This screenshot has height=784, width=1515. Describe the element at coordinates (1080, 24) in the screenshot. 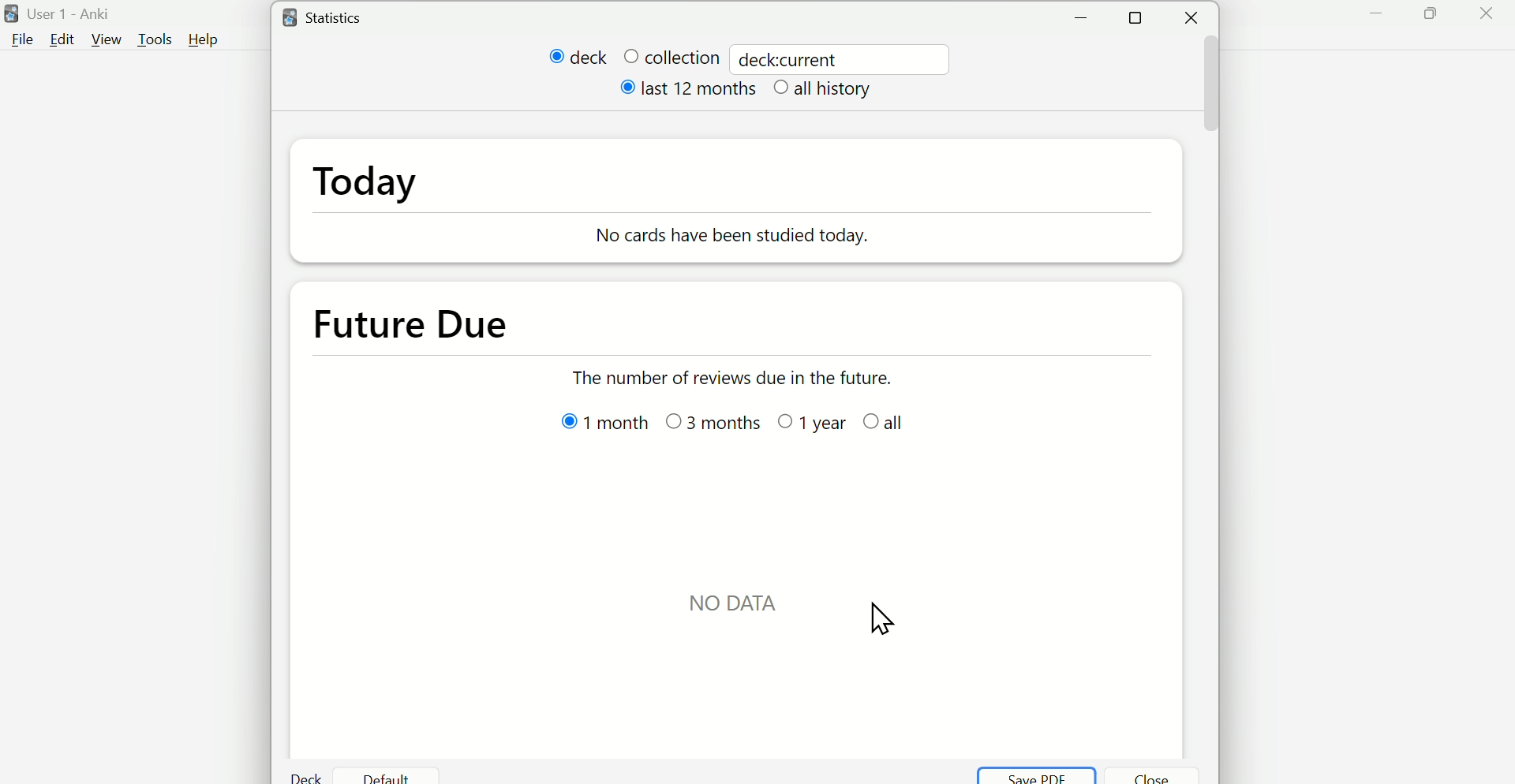

I see `Minimise` at that location.